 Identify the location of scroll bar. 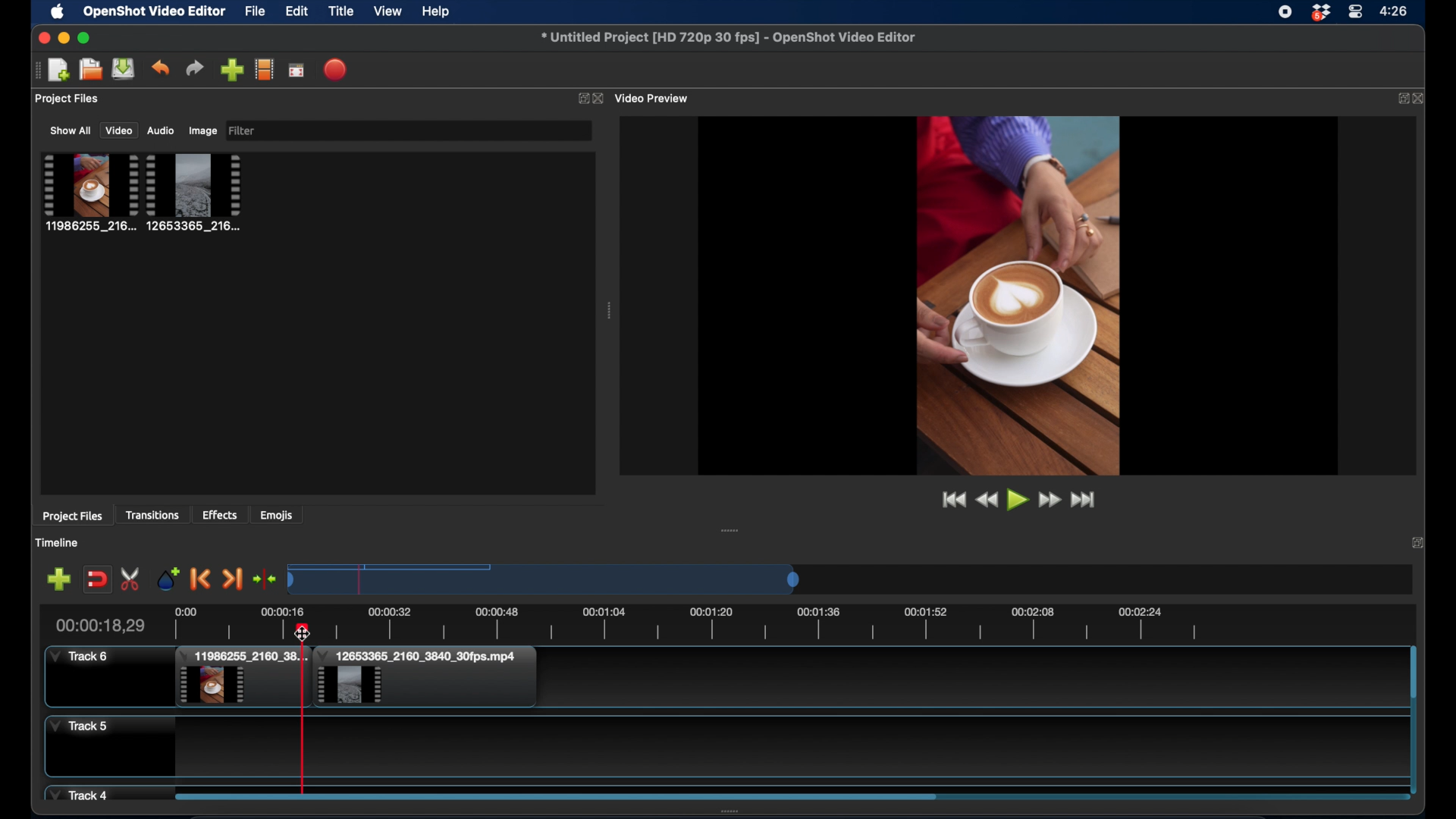
(1413, 673).